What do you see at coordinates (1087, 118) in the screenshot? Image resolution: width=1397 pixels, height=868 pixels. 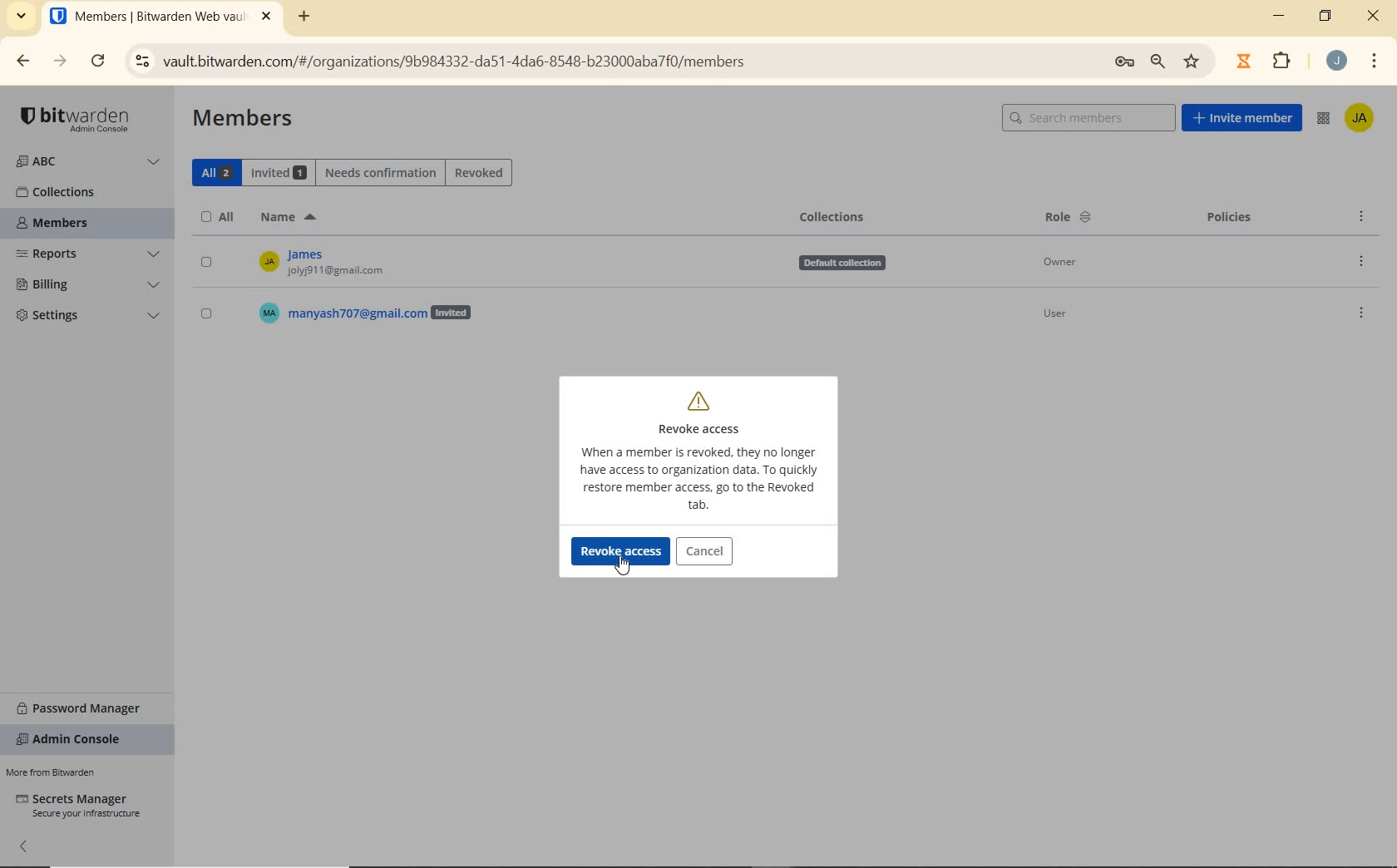 I see `SEARCH MEMBERS` at bounding box center [1087, 118].